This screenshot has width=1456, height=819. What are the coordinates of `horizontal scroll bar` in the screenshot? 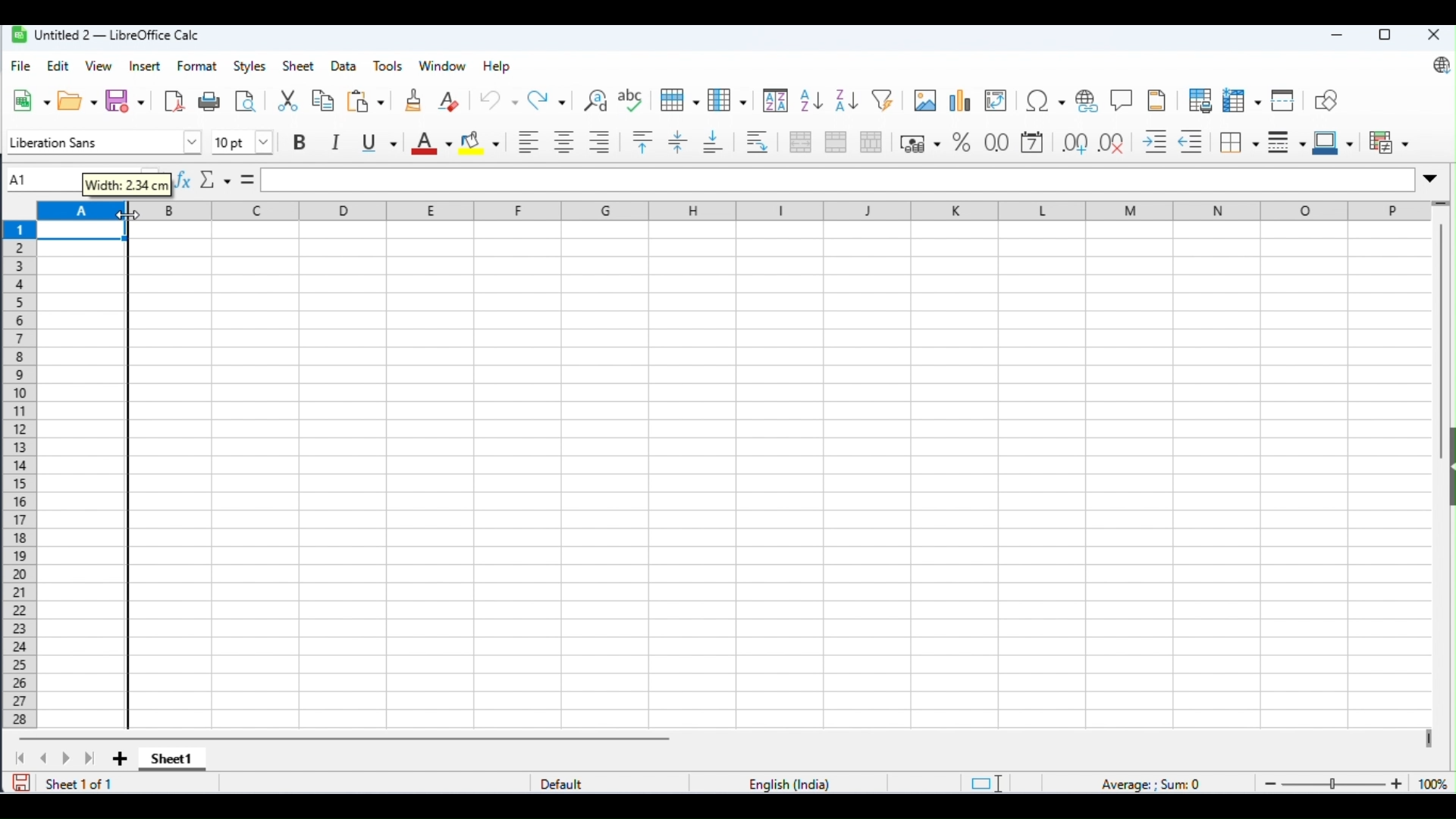 It's located at (350, 739).